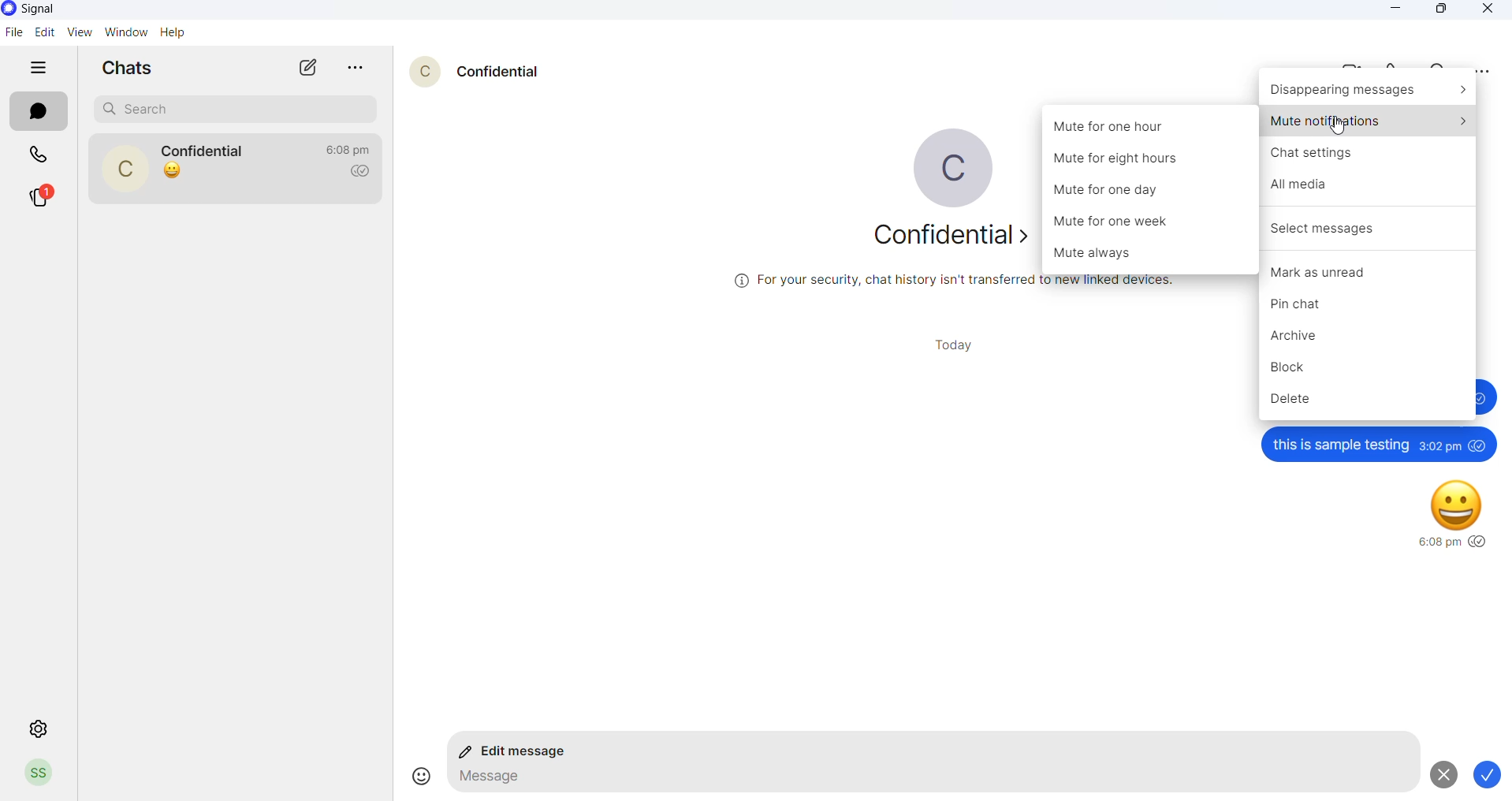 The image size is (1512, 801). Describe the element at coordinates (1340, 125) in the screenshot. I see `cursor` at that location.